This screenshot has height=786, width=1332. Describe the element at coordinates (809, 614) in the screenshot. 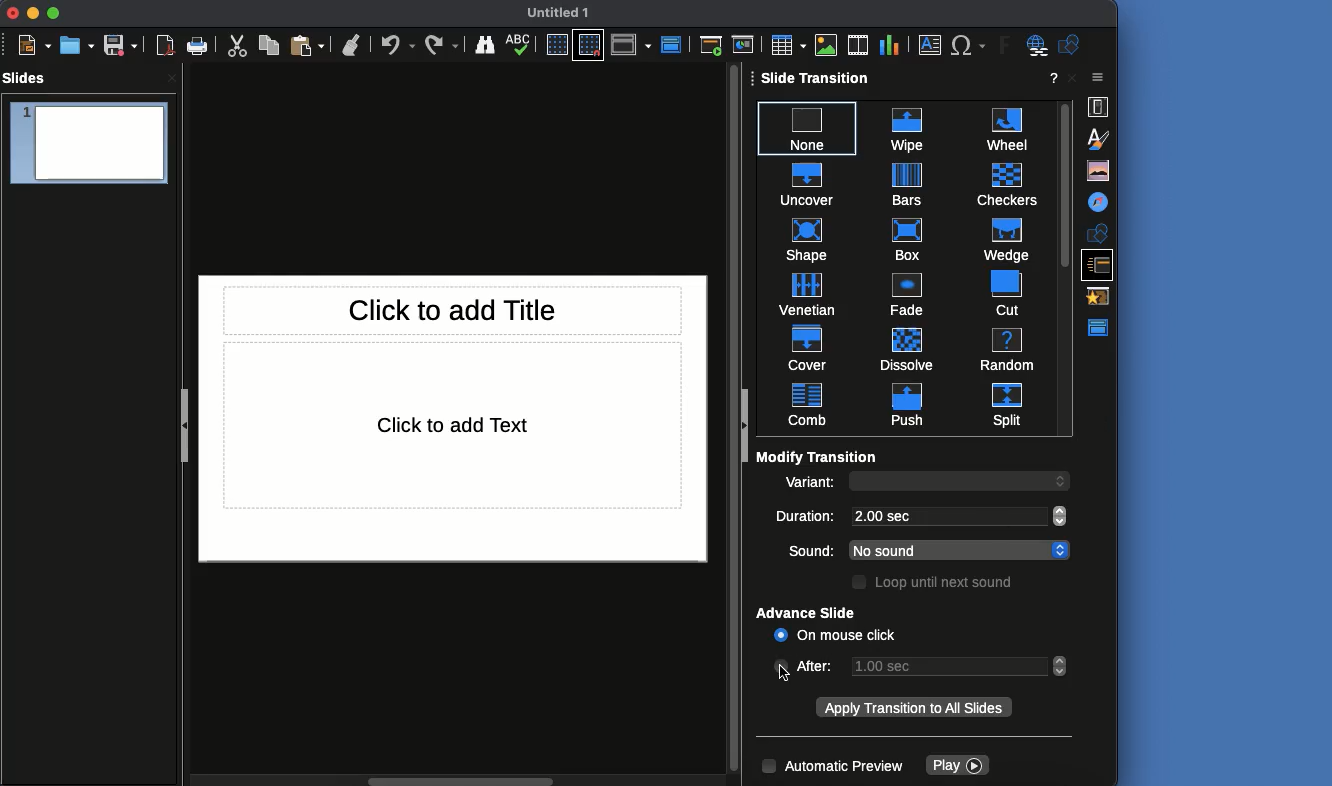

I see `Advance slide` at that location.